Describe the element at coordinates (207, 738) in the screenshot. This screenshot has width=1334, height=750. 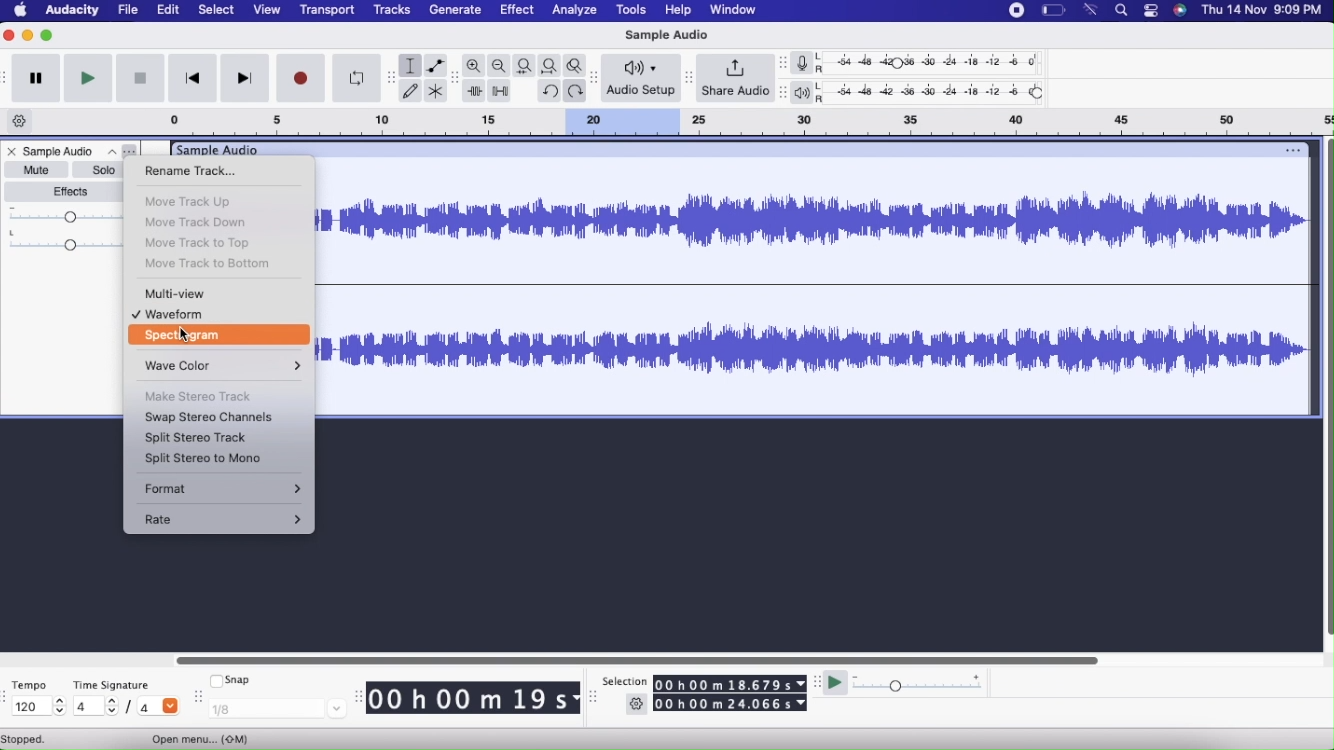
I see `Open Menu` at that location.